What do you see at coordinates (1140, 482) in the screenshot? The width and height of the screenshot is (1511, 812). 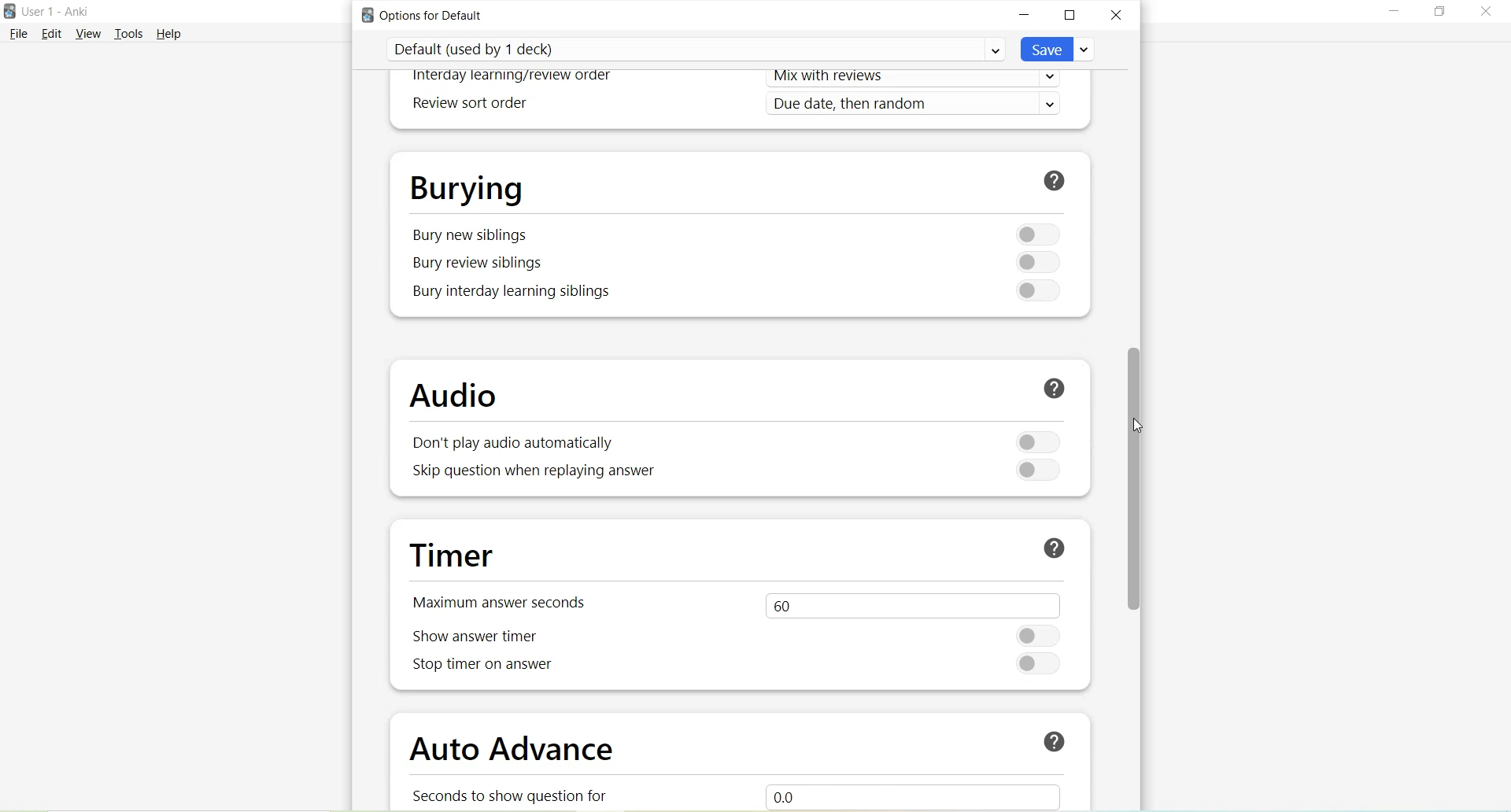 I see `Scroll bar` at bounding box center [1140, 482].